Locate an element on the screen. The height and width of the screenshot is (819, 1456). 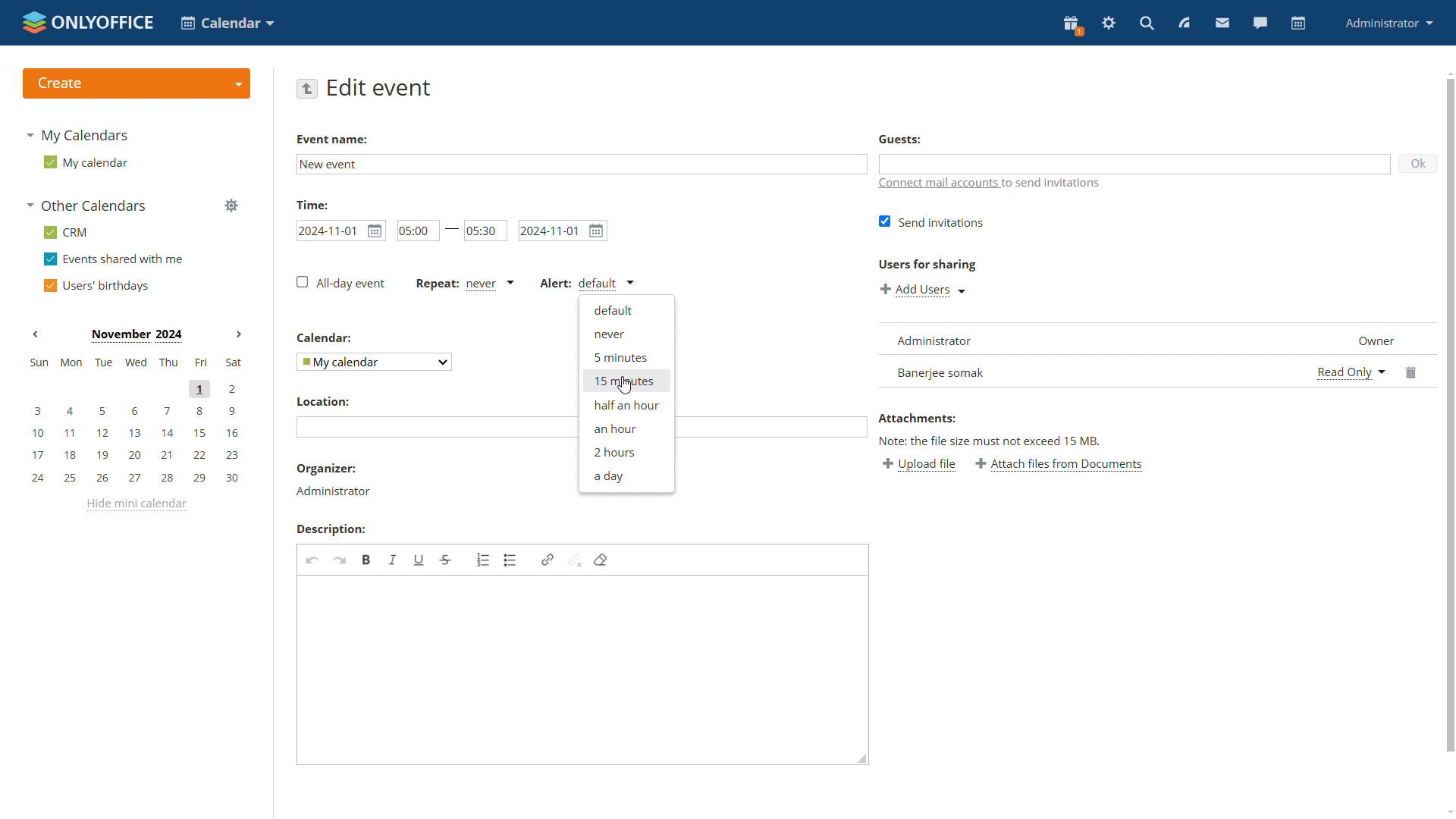
edit location is located at coordinates (435, 426).